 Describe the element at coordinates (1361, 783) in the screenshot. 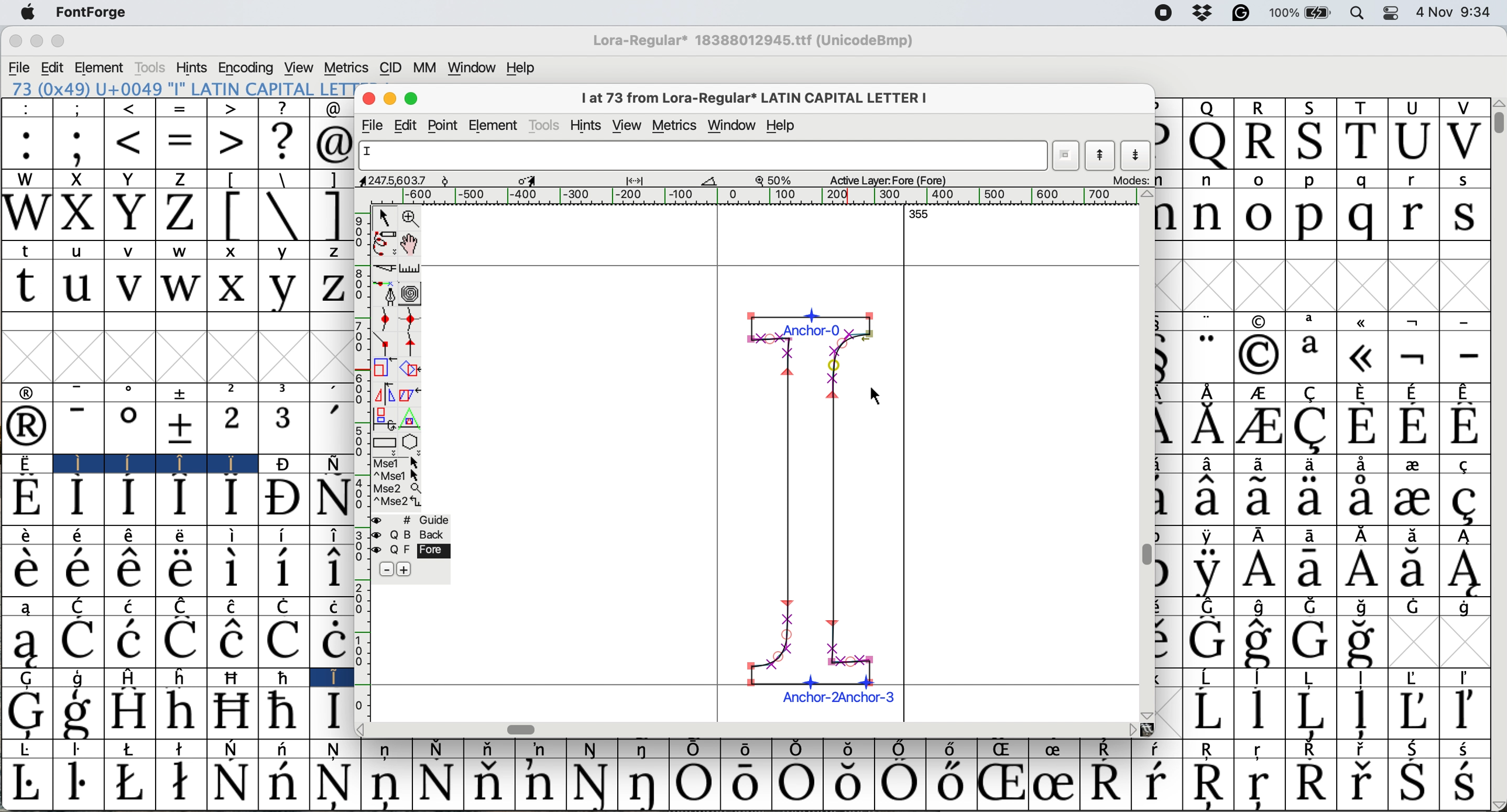

I see `Symbol` at that location.